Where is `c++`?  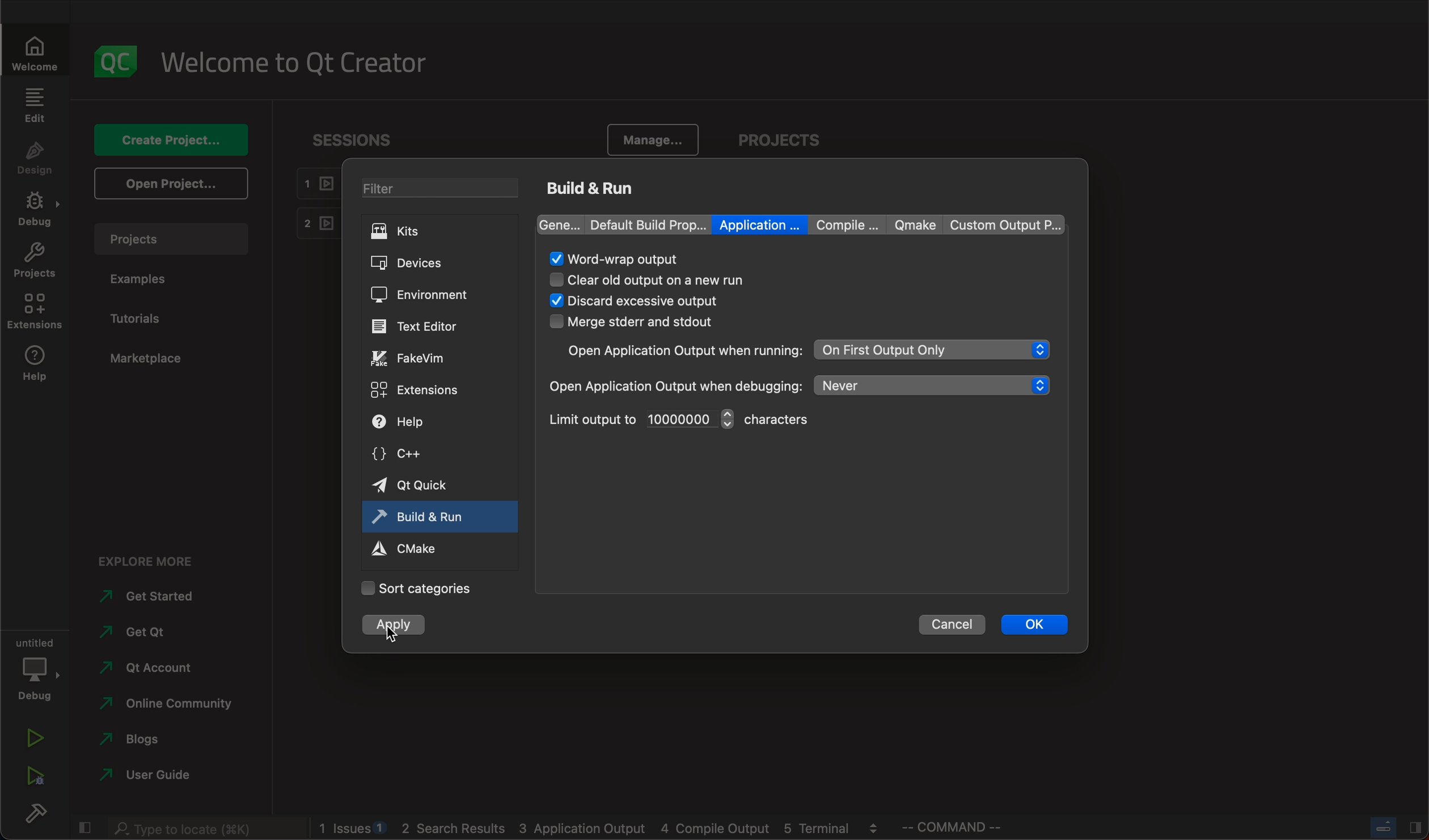
c++ is located at coordinates (424, 453).